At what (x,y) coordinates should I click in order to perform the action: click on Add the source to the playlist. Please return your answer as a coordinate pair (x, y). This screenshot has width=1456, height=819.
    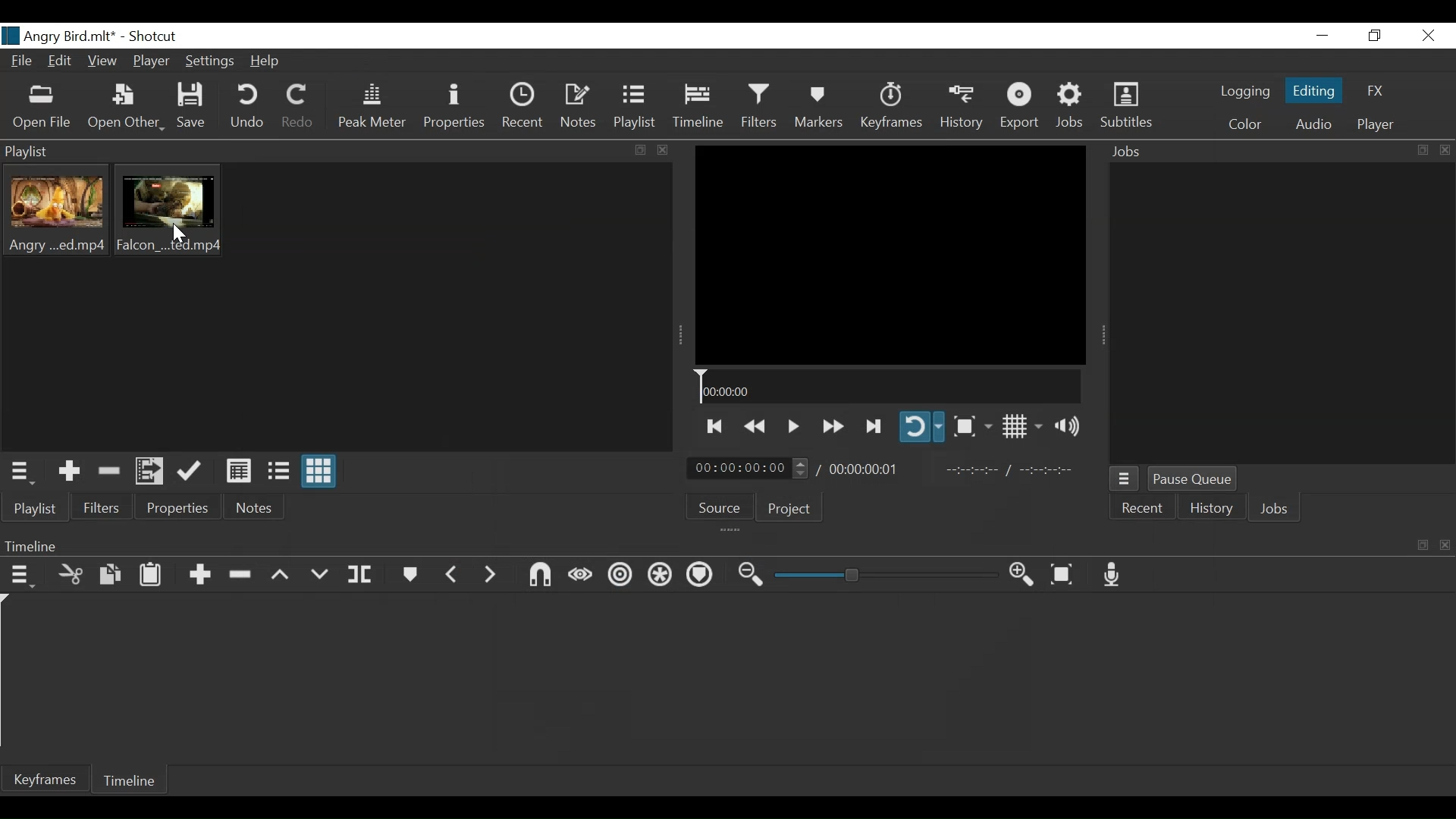
    Looking at the image, I should click on (71, 472).